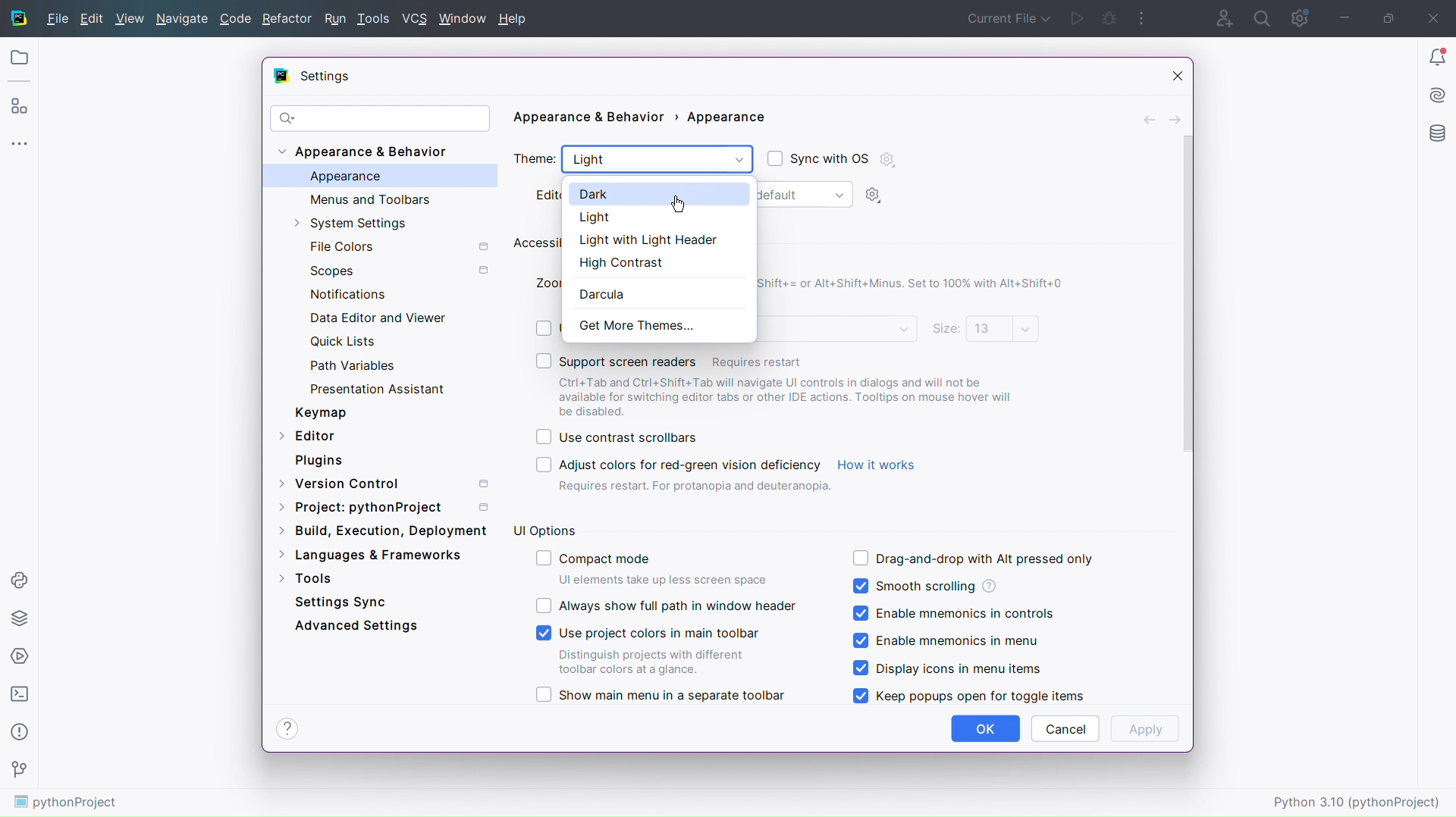 Image resolution: width=1456 pixels, height=817 pixels. I want to click on Display icons in menu items, so click(947, 668).